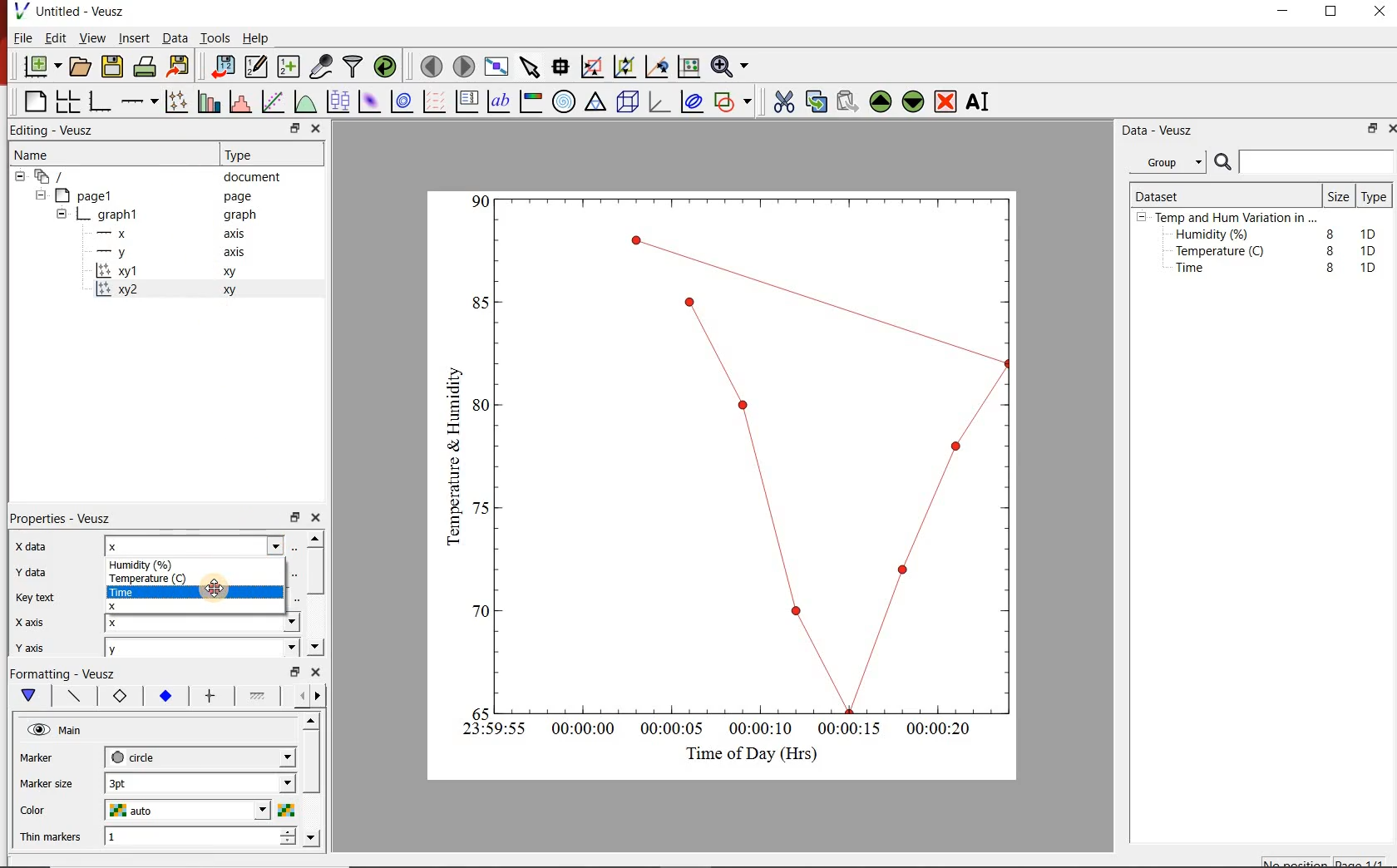  I want to click on go back, so click(296, 694).